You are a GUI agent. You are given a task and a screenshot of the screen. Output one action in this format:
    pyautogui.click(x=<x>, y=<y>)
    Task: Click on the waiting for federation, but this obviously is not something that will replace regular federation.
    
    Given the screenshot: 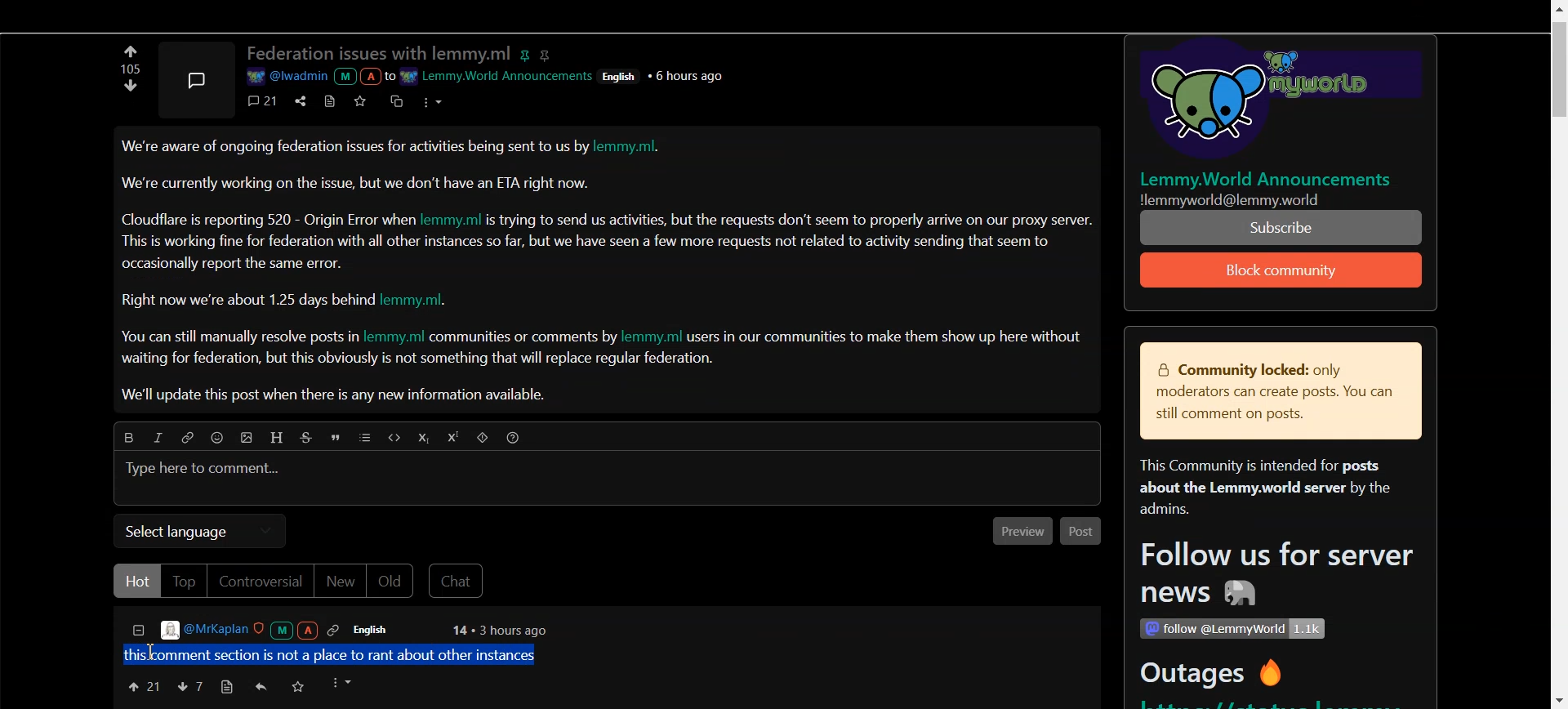 What is the action you would take?
    pyautogui.click(x=420, y=360)
    